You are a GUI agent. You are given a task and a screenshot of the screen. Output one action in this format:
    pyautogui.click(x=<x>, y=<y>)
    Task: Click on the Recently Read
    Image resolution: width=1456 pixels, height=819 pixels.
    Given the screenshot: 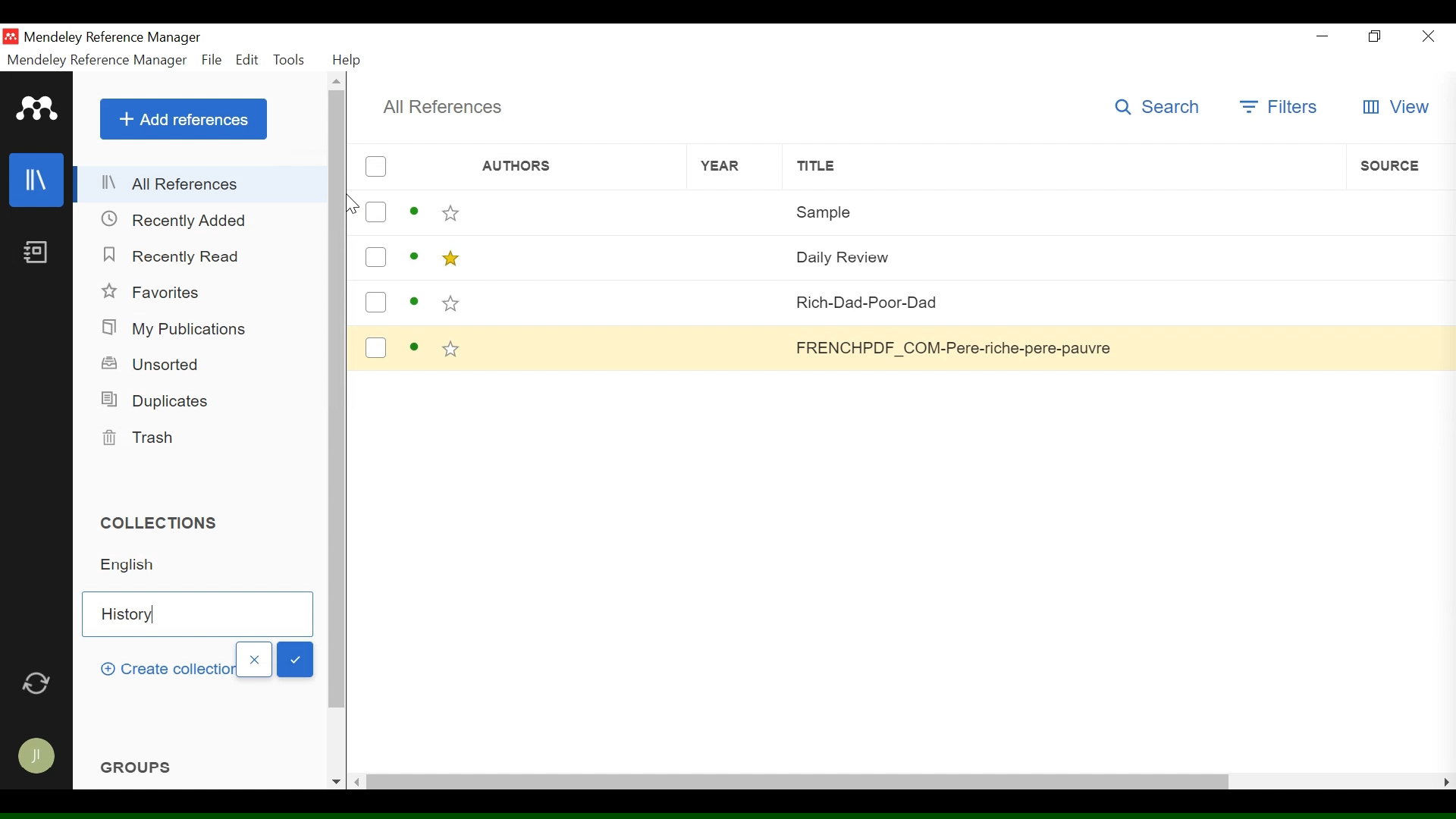 What is the action you would take?
    pyautogui.click(x=172, y=256)
    